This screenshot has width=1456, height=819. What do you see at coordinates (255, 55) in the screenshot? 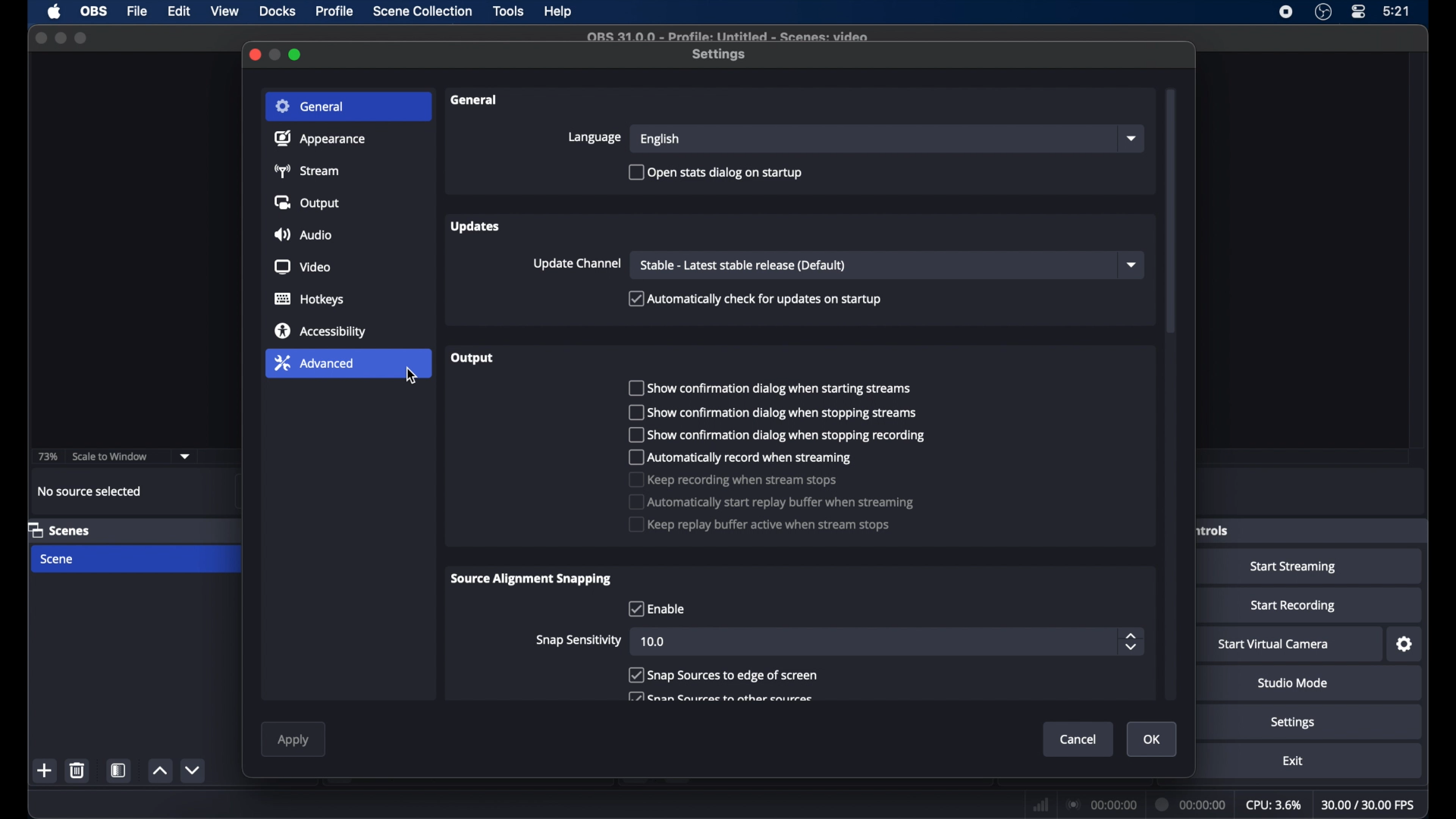
I see `close` at bounding box center [255, 55].